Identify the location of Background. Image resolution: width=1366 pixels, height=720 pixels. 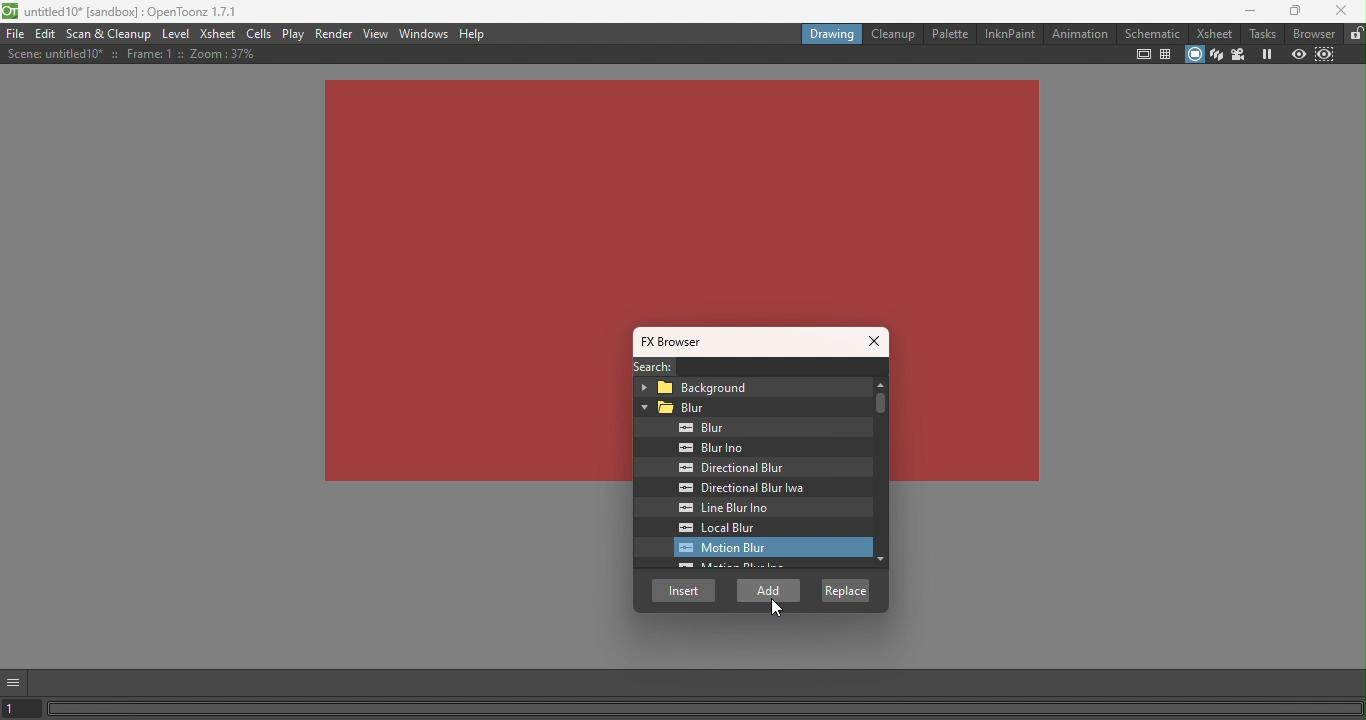
(748, 386).